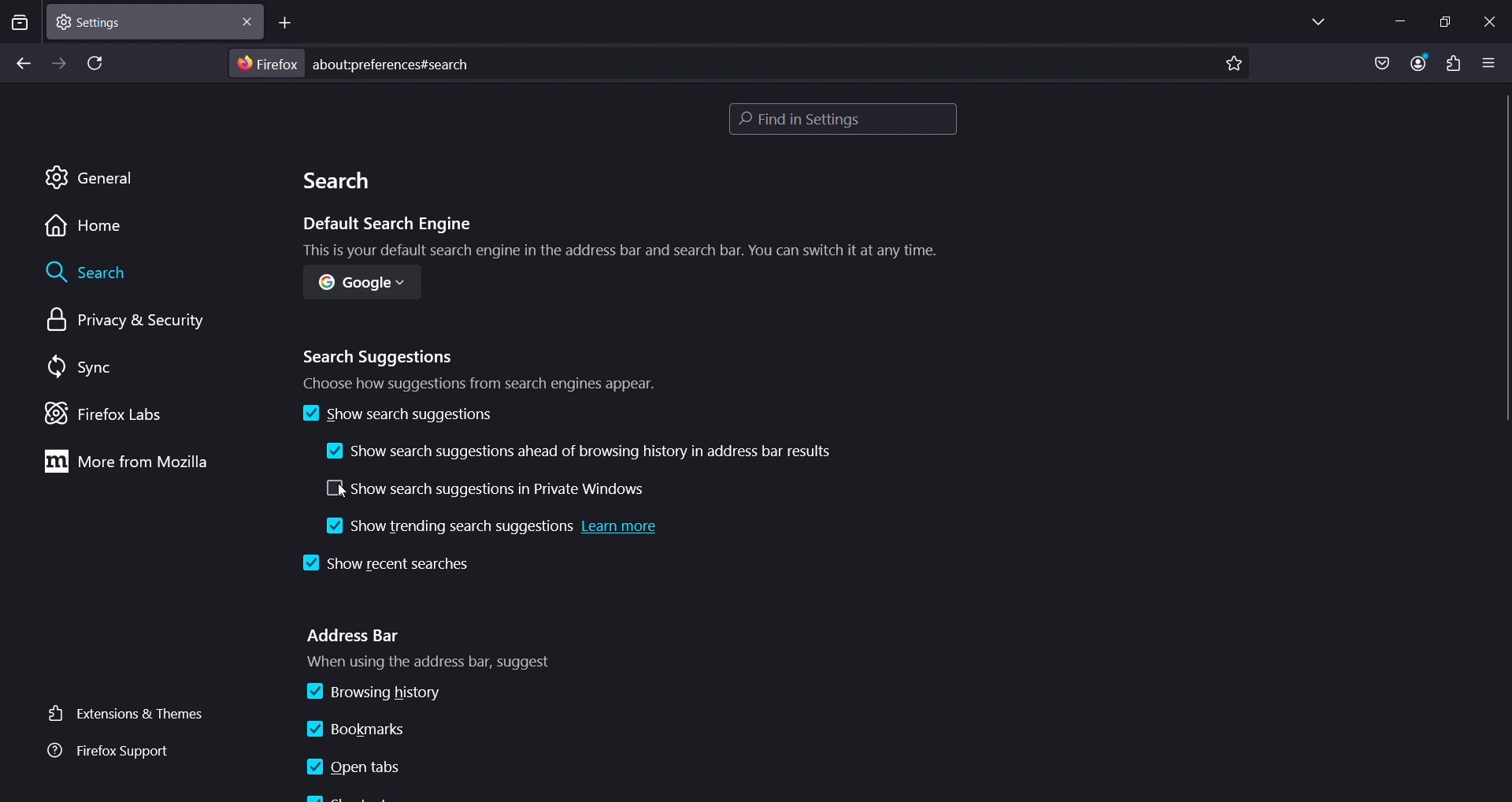 The image size is (1512, 802). What do you see at coordinates (95, 180) in the screenshot?
I see `general` at bounding box center [95, 180].